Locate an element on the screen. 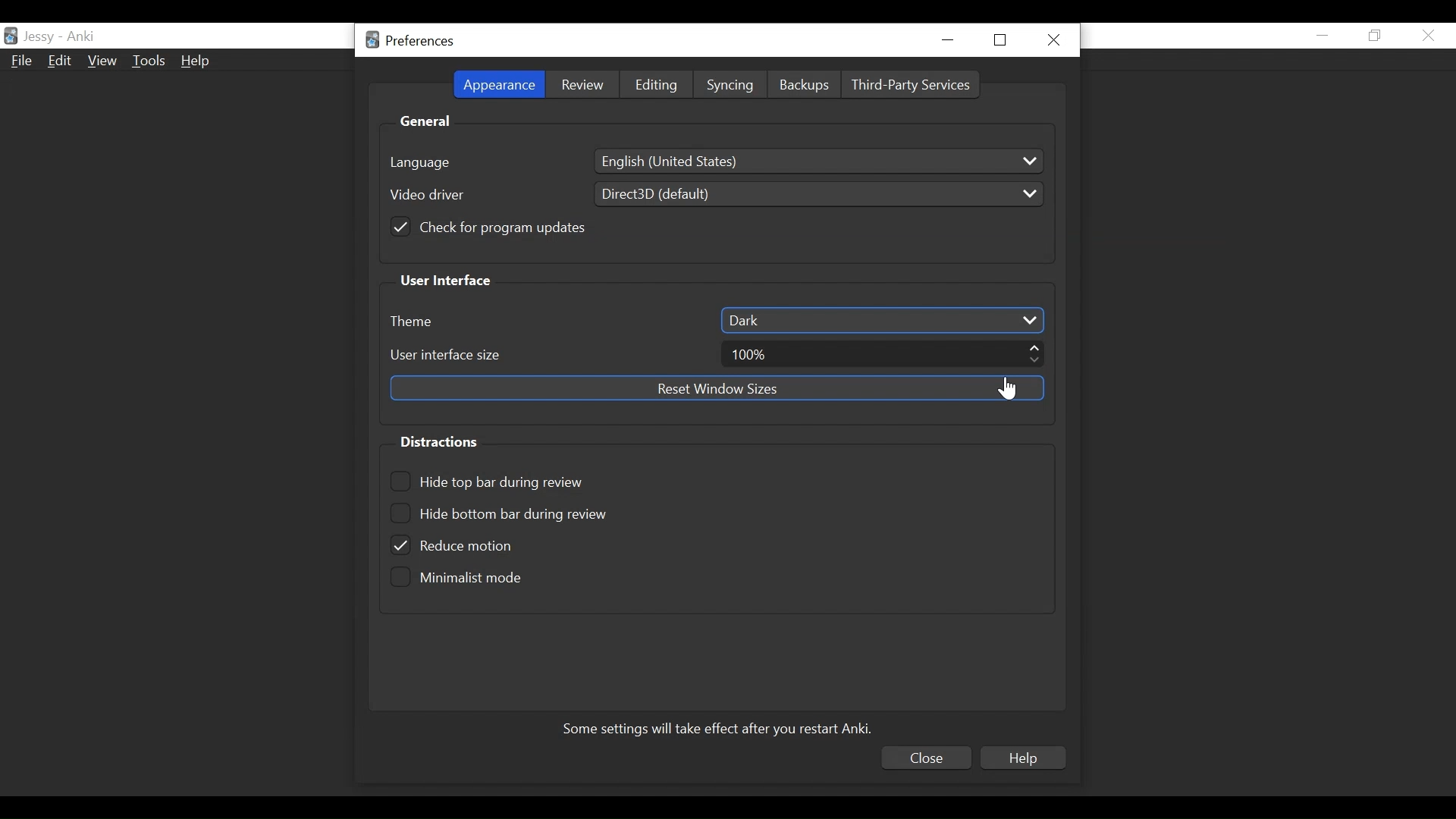  Direct3D (default) is located at coordinates (817, 193).